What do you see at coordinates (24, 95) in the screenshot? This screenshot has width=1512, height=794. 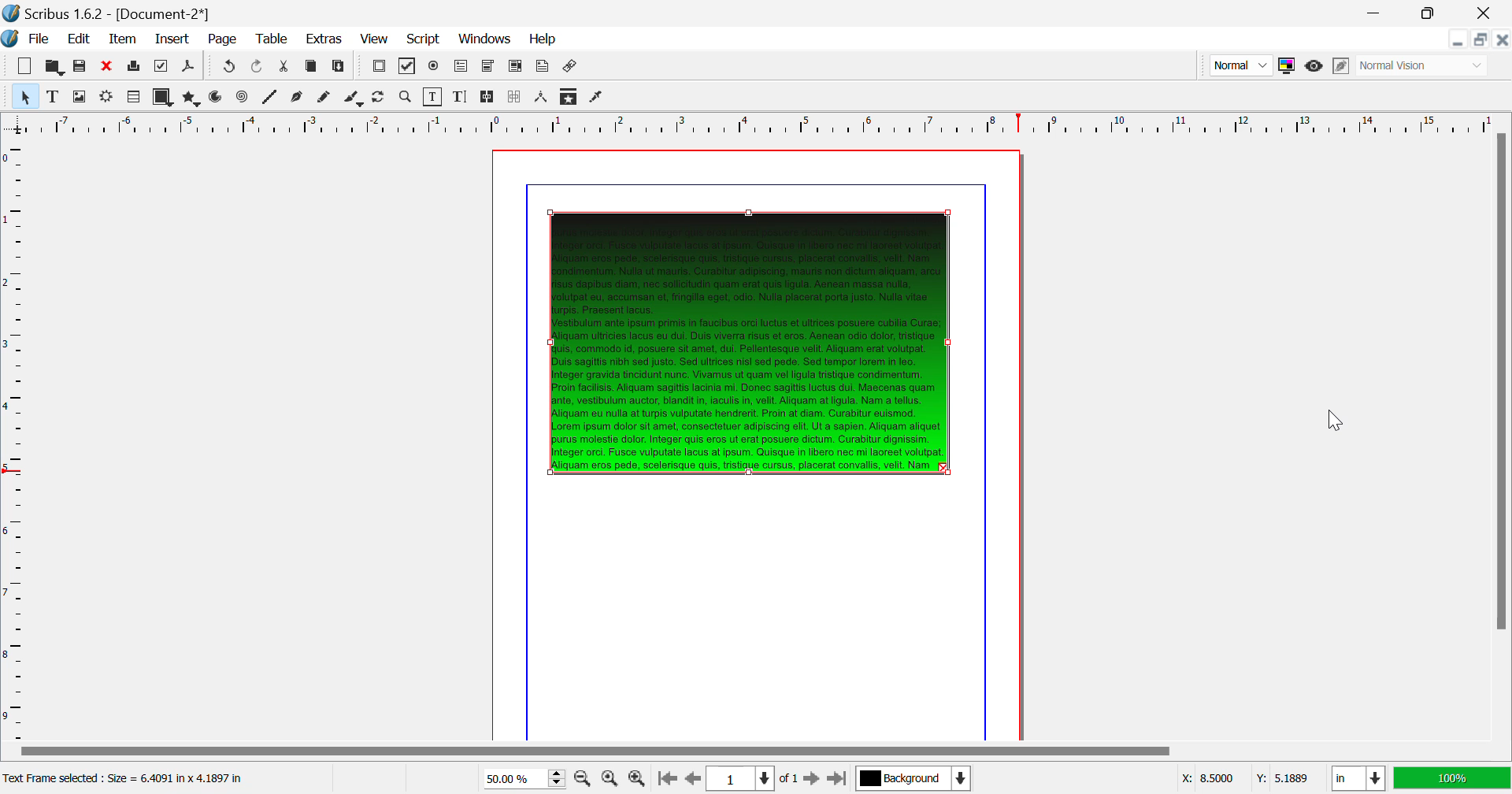 I see `Select` at bounding box center [24, 95].